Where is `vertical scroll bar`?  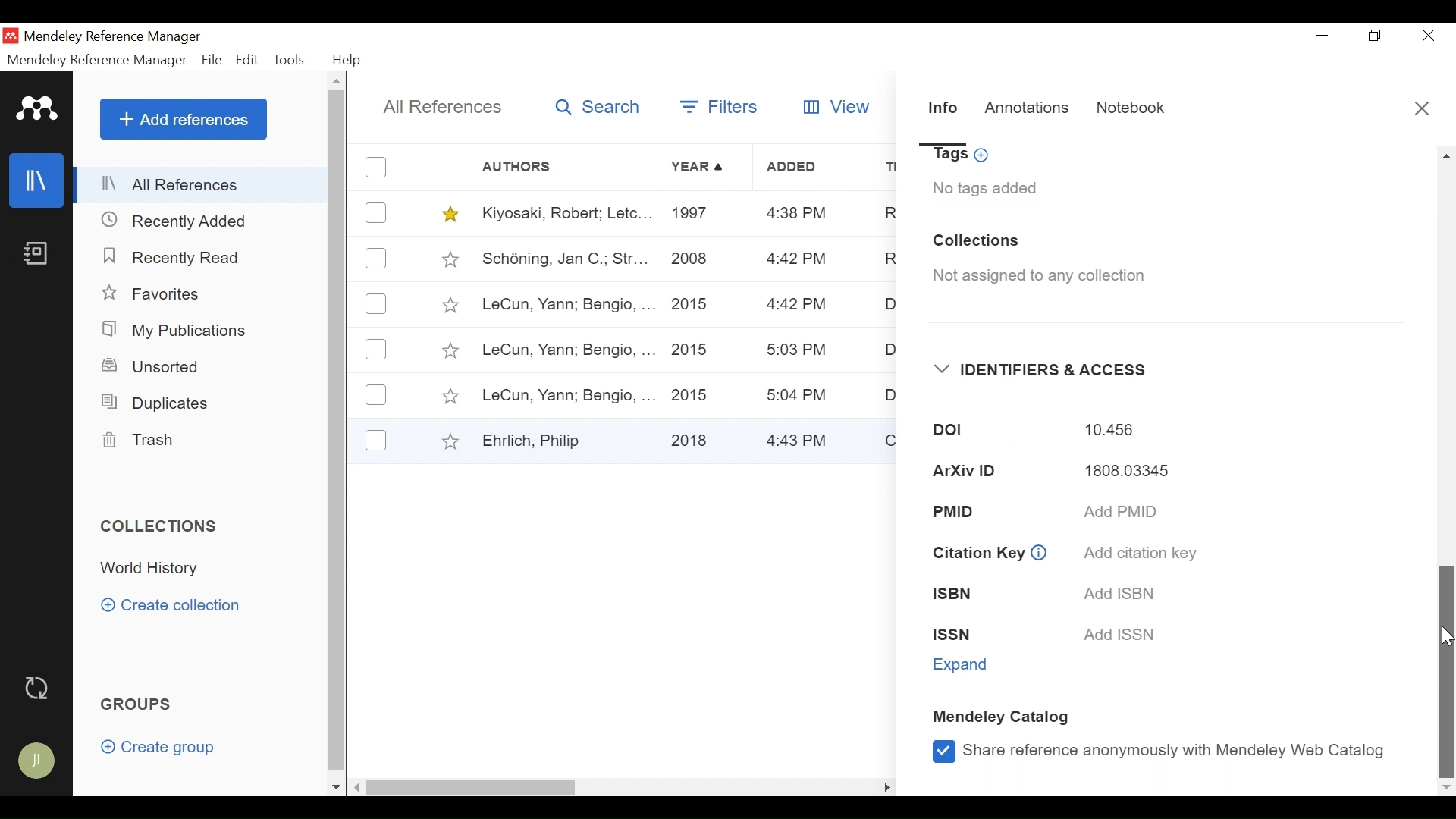
vertical scroll bar is located at coordinates (336, 431).